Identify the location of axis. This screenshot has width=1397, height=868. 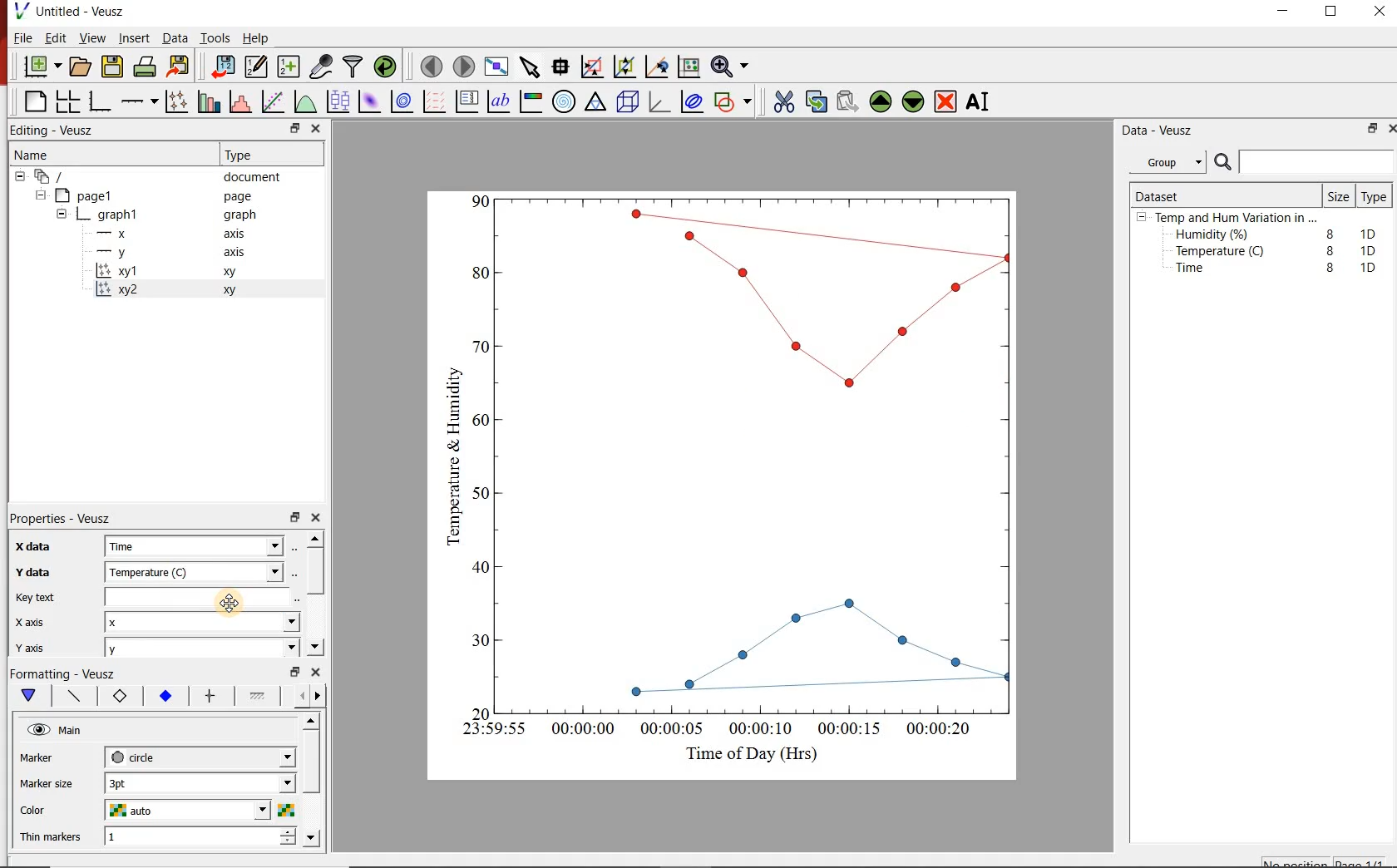
(238, 254).